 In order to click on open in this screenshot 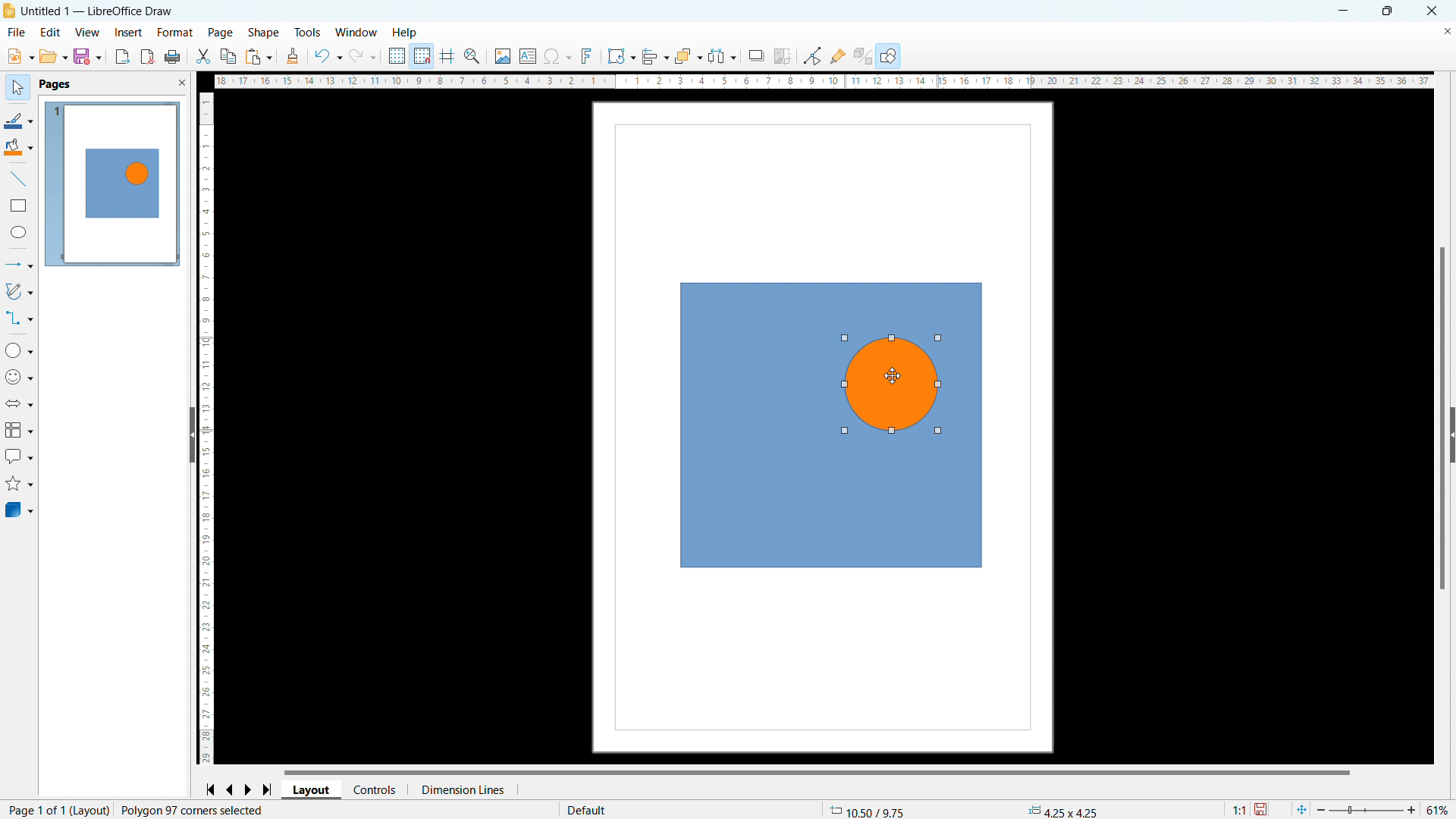, I will do `click(54, 55)`.